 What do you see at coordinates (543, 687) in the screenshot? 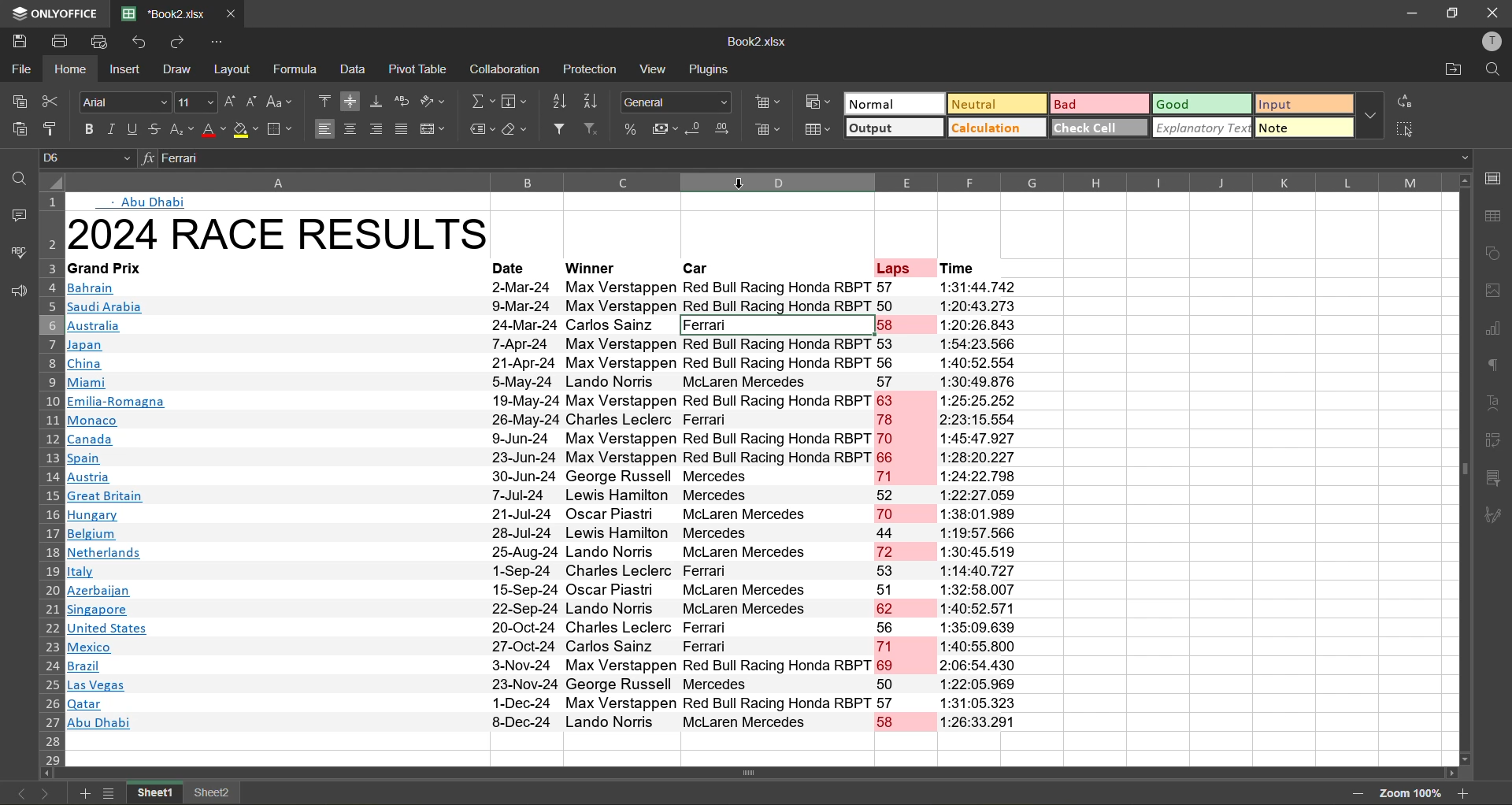
I see `Las Vegas 23-Nov-24 George Russell Mercedes 50 1:22:05.969` at bounding box center [543, 687].